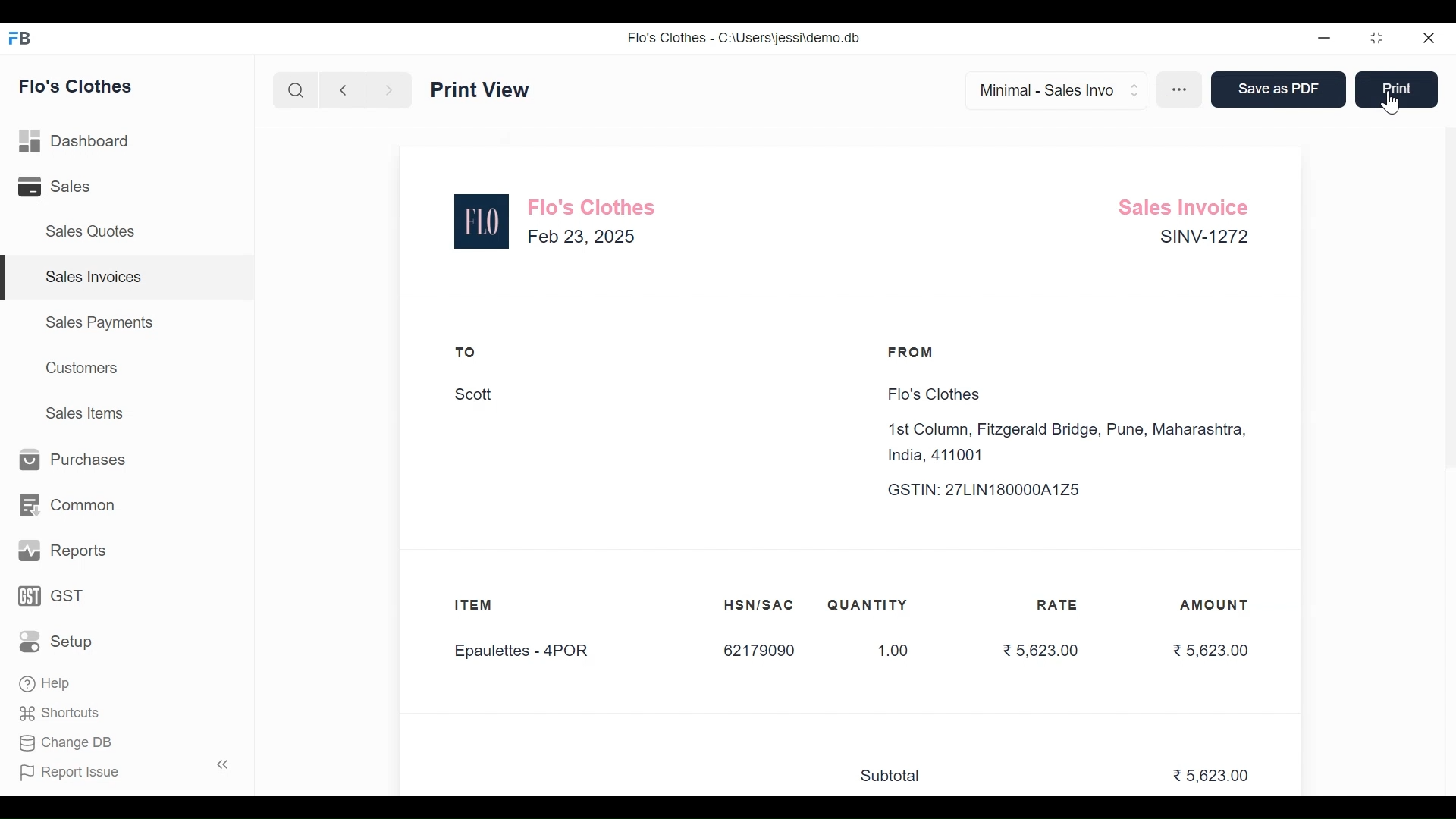 The image size is (1456, 819). What do you see at coordinates (64, 549) in the screenshot?
I see `Reports` at bounding box center [64, 549].